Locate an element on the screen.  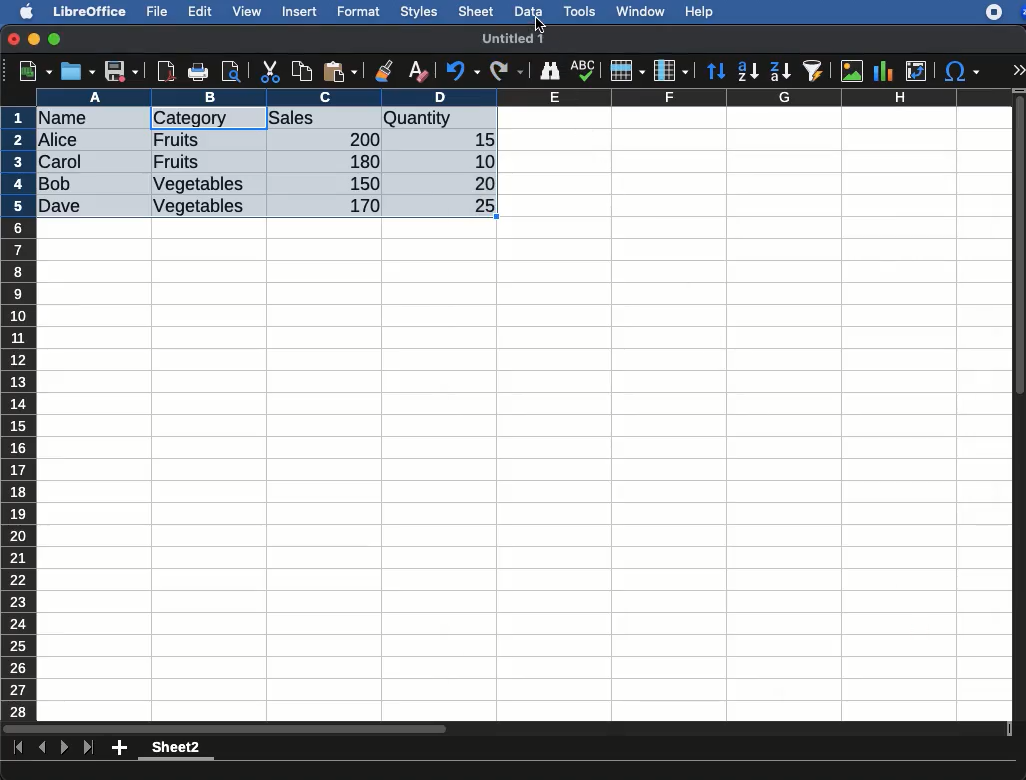
untitled is located at coordinates (503, 39).